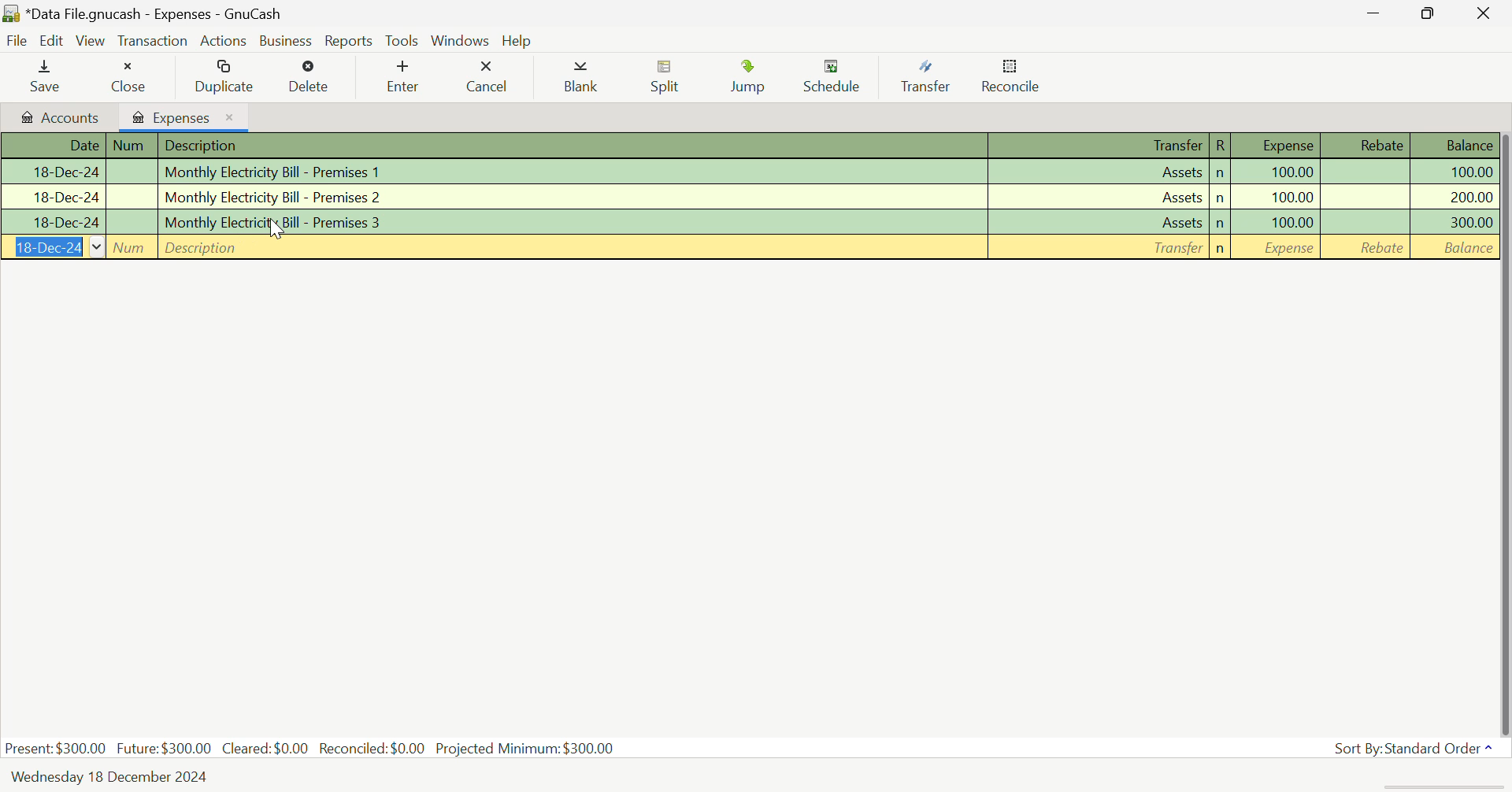  What do you see at coordinates (1485, 13) in the screenshot?
I see `Close Window` at bounding box center [1485, 13].